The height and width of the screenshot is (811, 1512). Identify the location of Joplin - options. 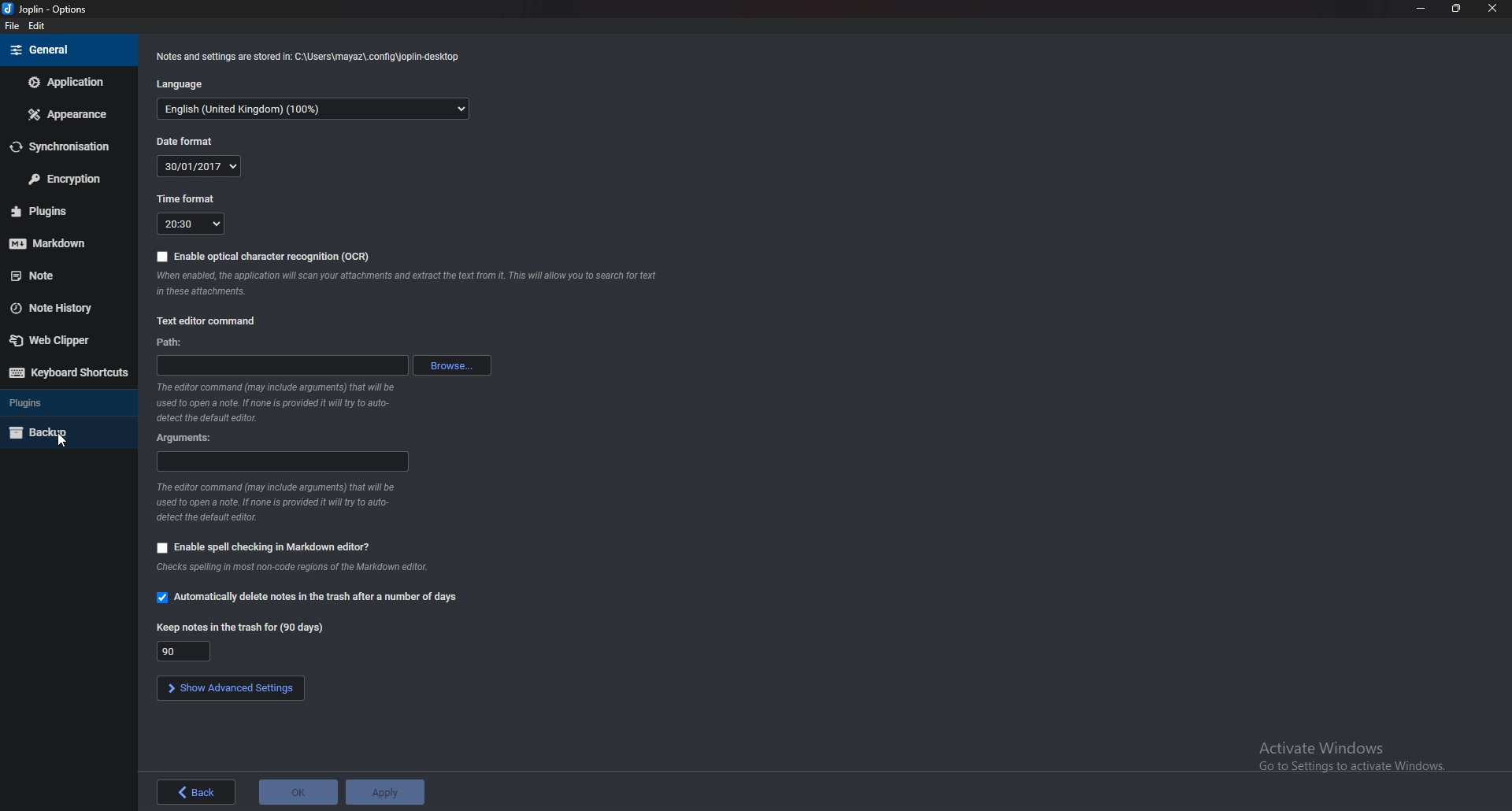
(48, 10).